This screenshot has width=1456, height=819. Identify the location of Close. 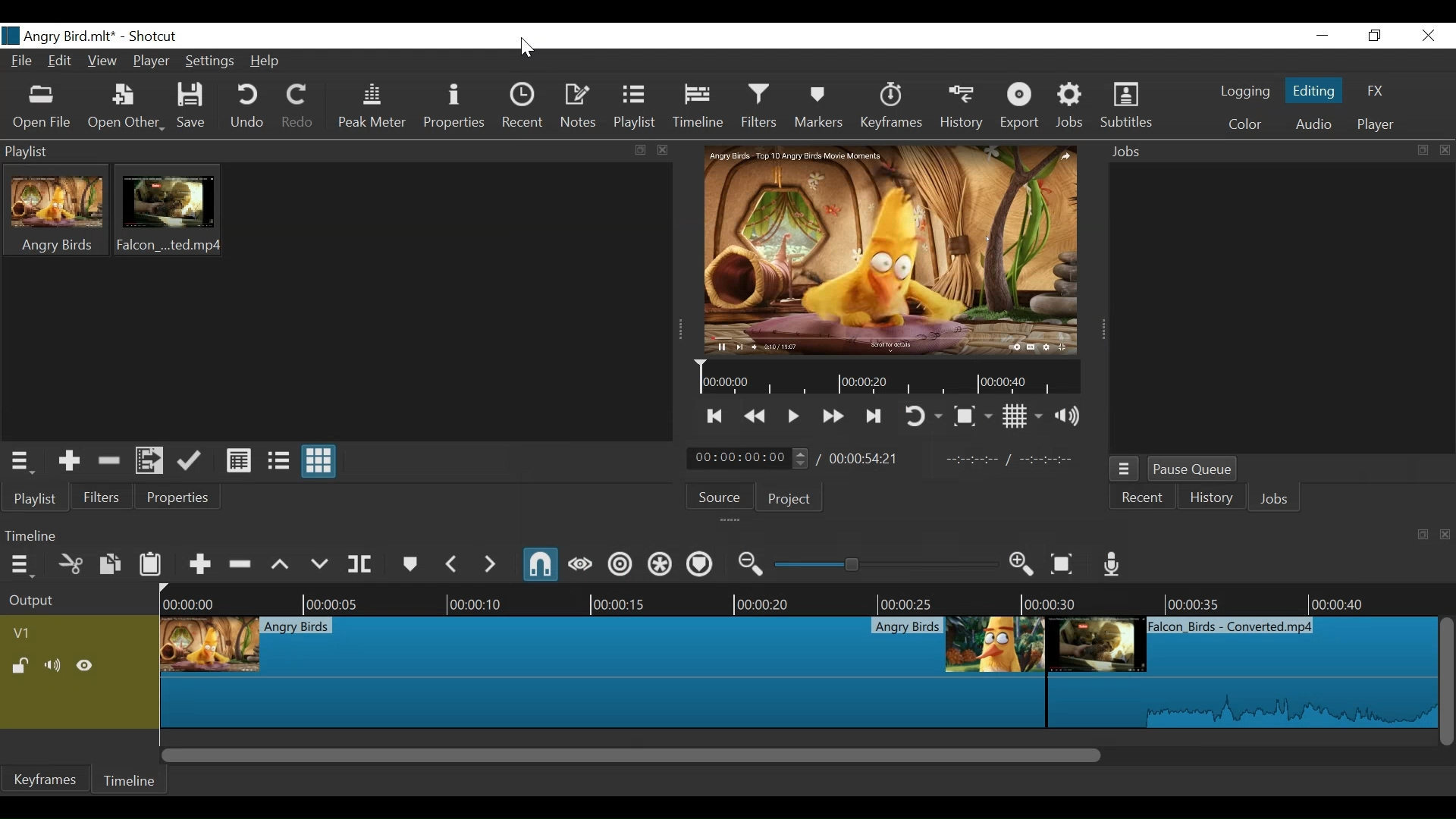
(1427, 35).